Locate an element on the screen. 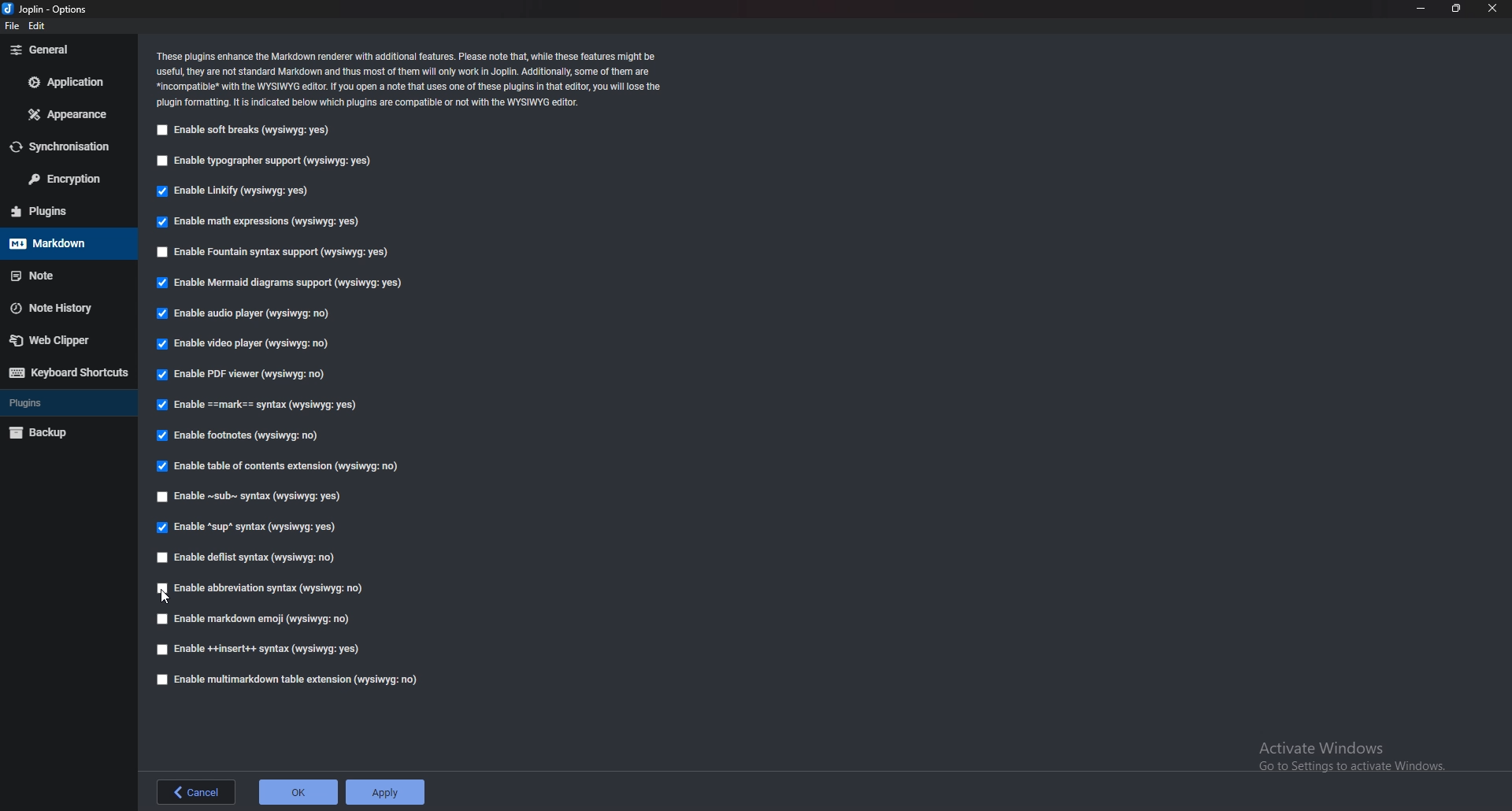 The image size is (1512, 811). Enable audio player (wysiwyg: no) is located at coordinates (249, 313).